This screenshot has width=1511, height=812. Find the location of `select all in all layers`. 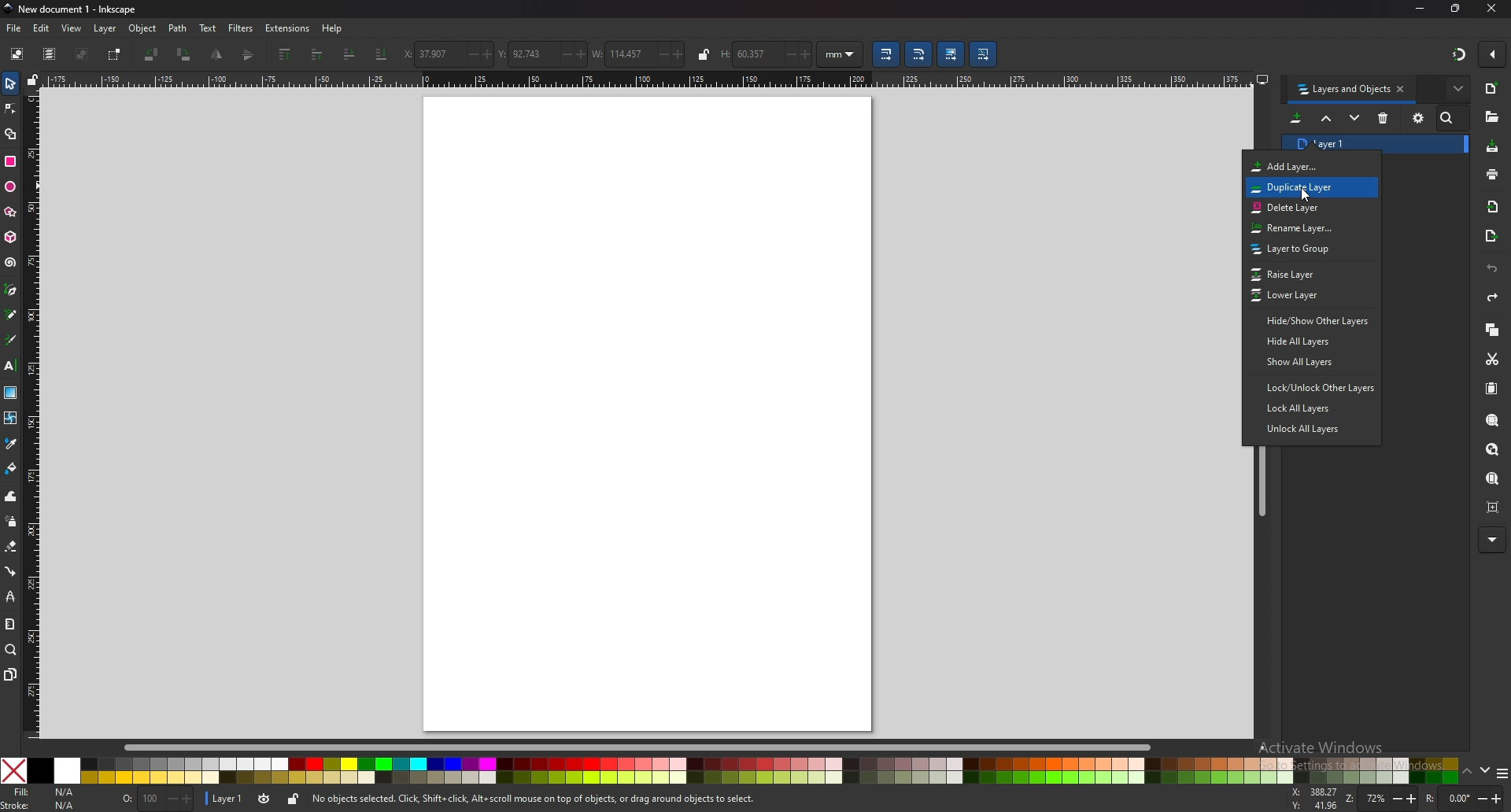

select all in all layers is located at coordinates (51, 54).